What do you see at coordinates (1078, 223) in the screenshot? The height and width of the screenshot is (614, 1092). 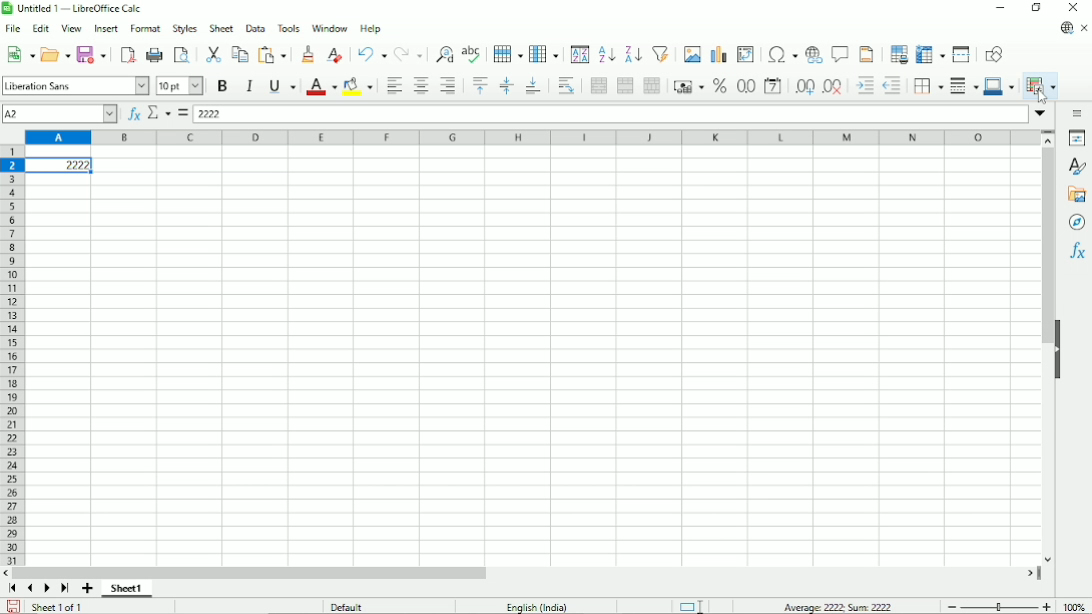 I see `Navigator` at bounding box center [1078, 223].